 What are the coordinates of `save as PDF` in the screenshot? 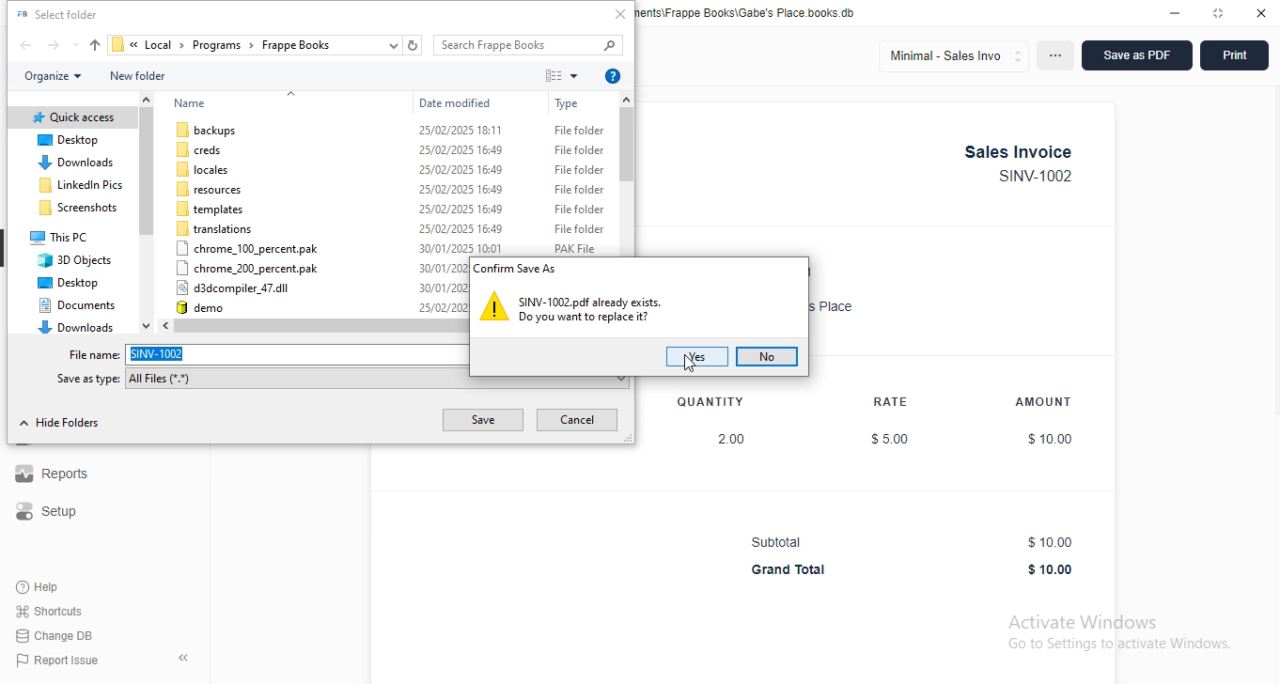 It's located at (1137, 55).